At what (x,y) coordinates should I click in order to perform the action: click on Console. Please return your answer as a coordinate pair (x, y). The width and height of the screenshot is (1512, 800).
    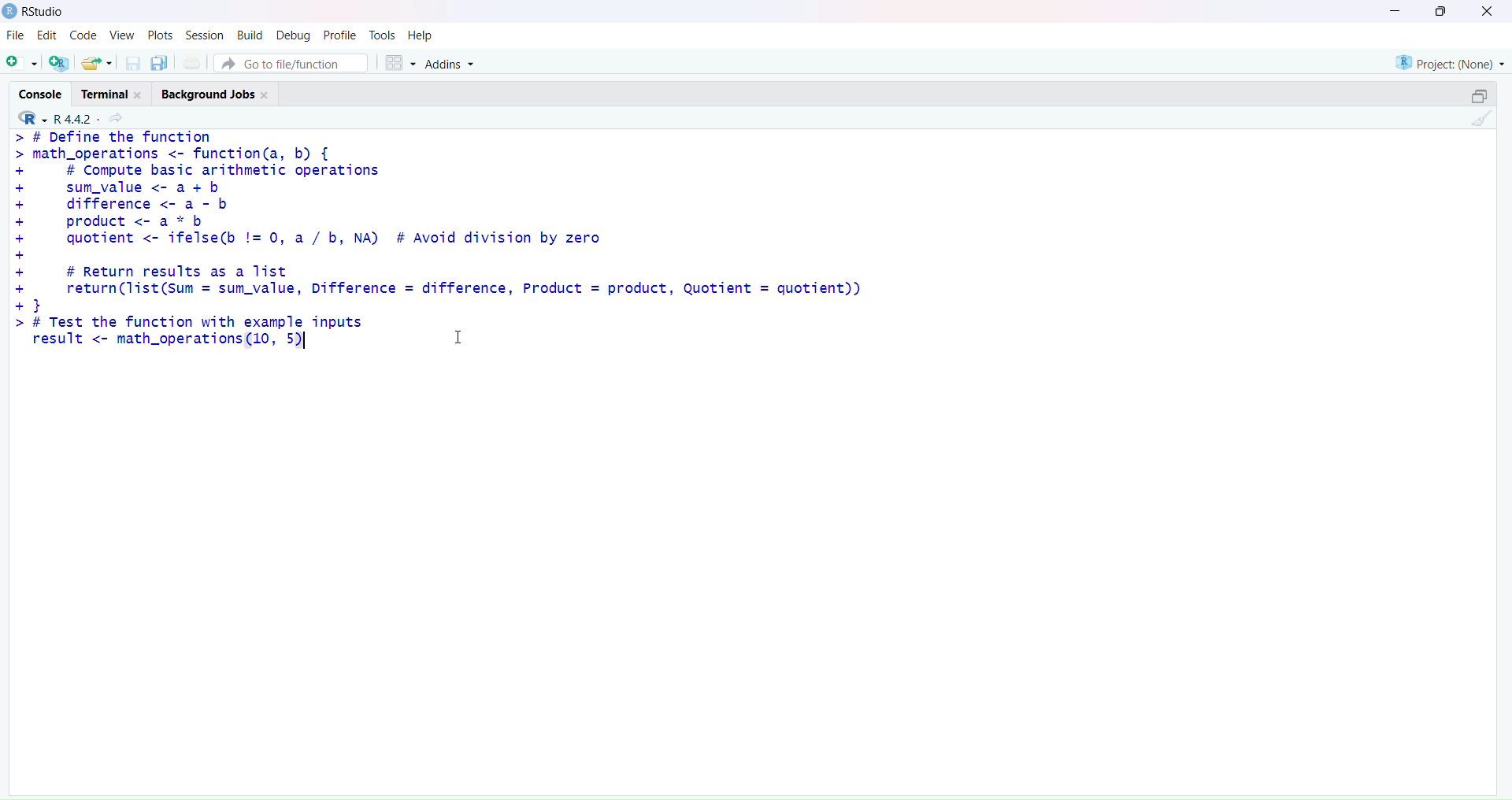
    Looking at the image, I should click on (40, 94).